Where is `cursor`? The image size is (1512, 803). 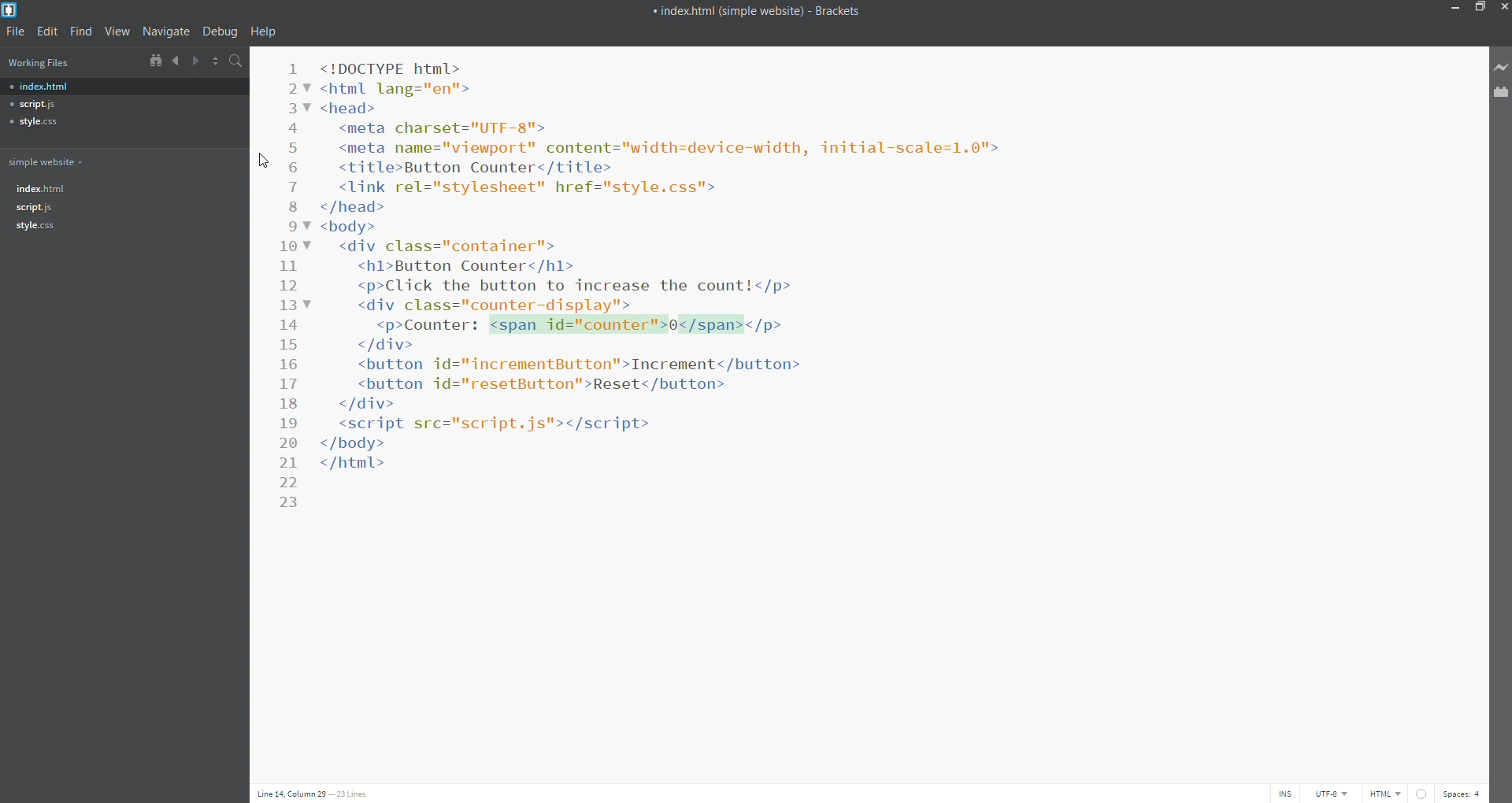
cursor is located at coordinates (260, 163).